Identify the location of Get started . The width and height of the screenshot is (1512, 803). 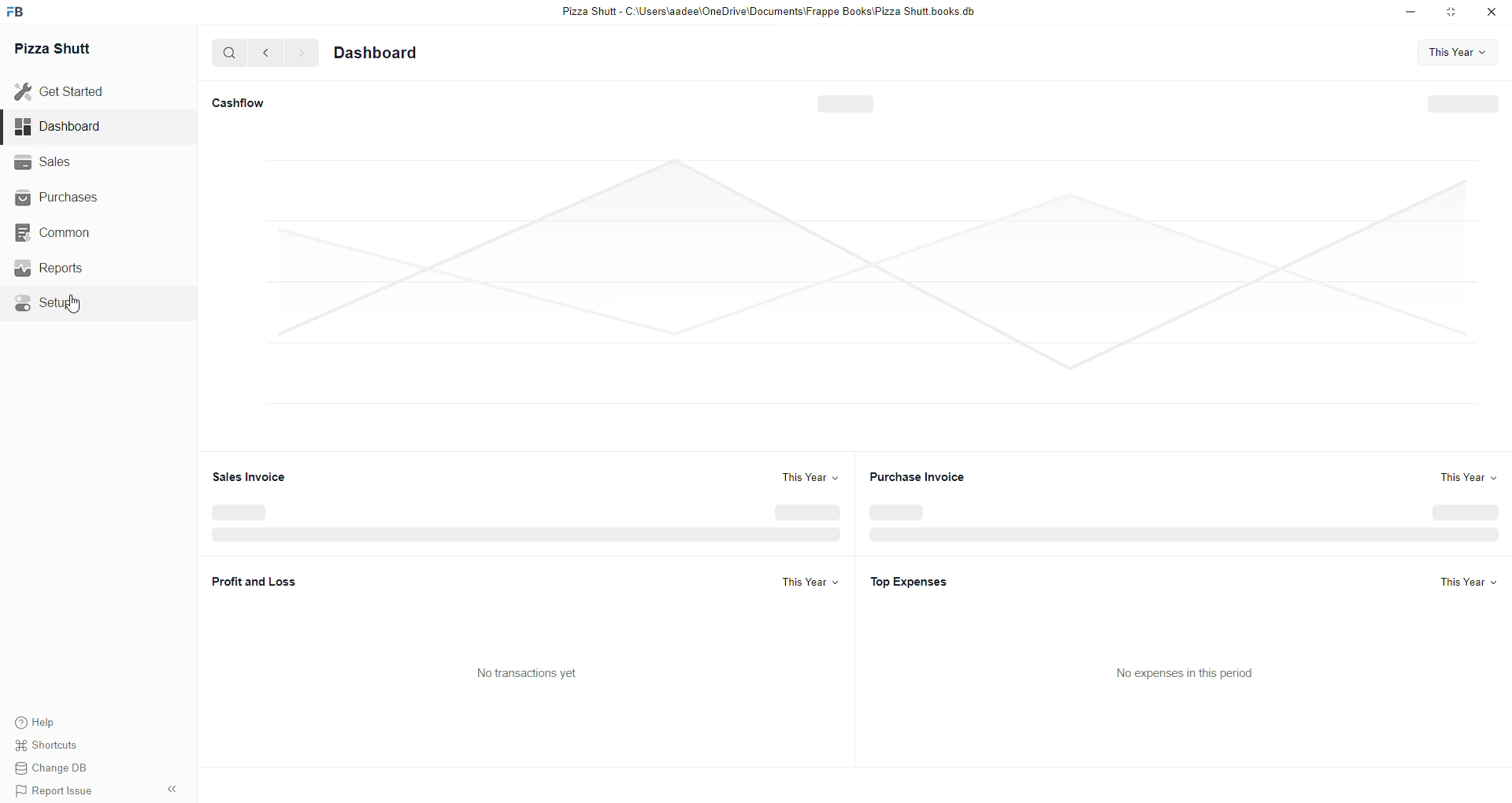
(69, 91).